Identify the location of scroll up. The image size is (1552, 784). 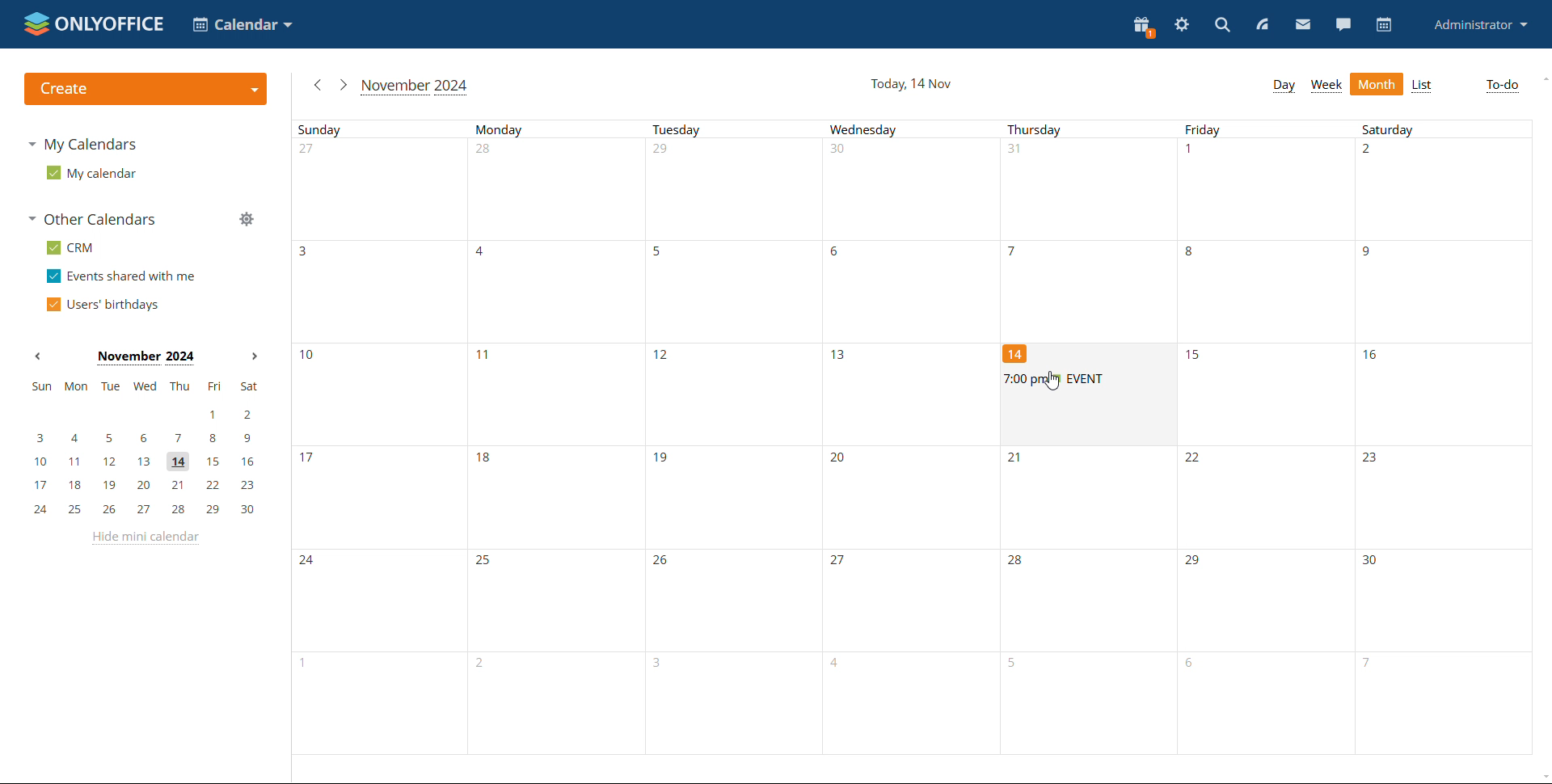
(1542, 79).